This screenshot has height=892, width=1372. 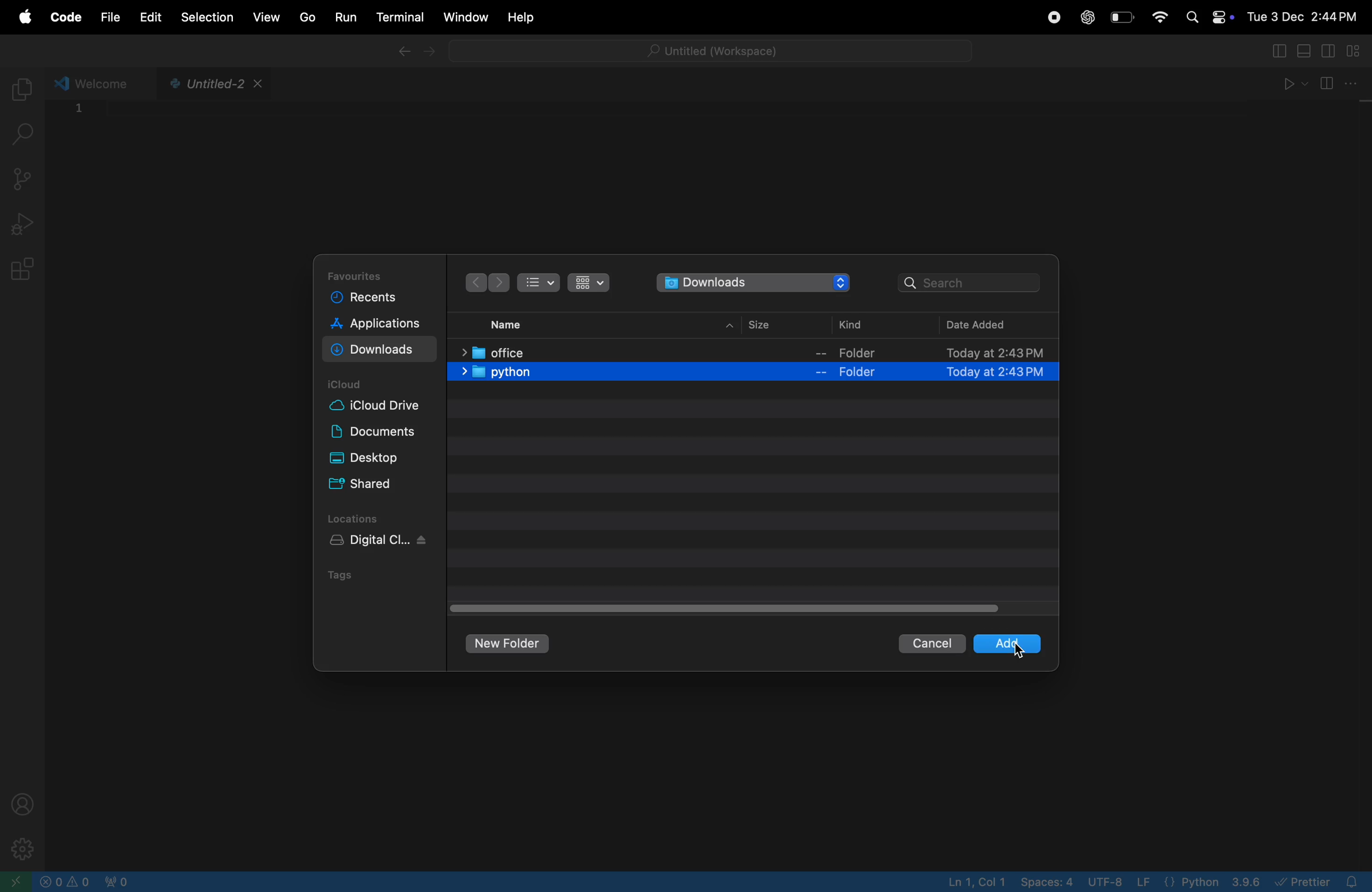 What do you see at coordinates (852, 374) in the screenshot?
I see `folder` at bounding box center [852, 374].